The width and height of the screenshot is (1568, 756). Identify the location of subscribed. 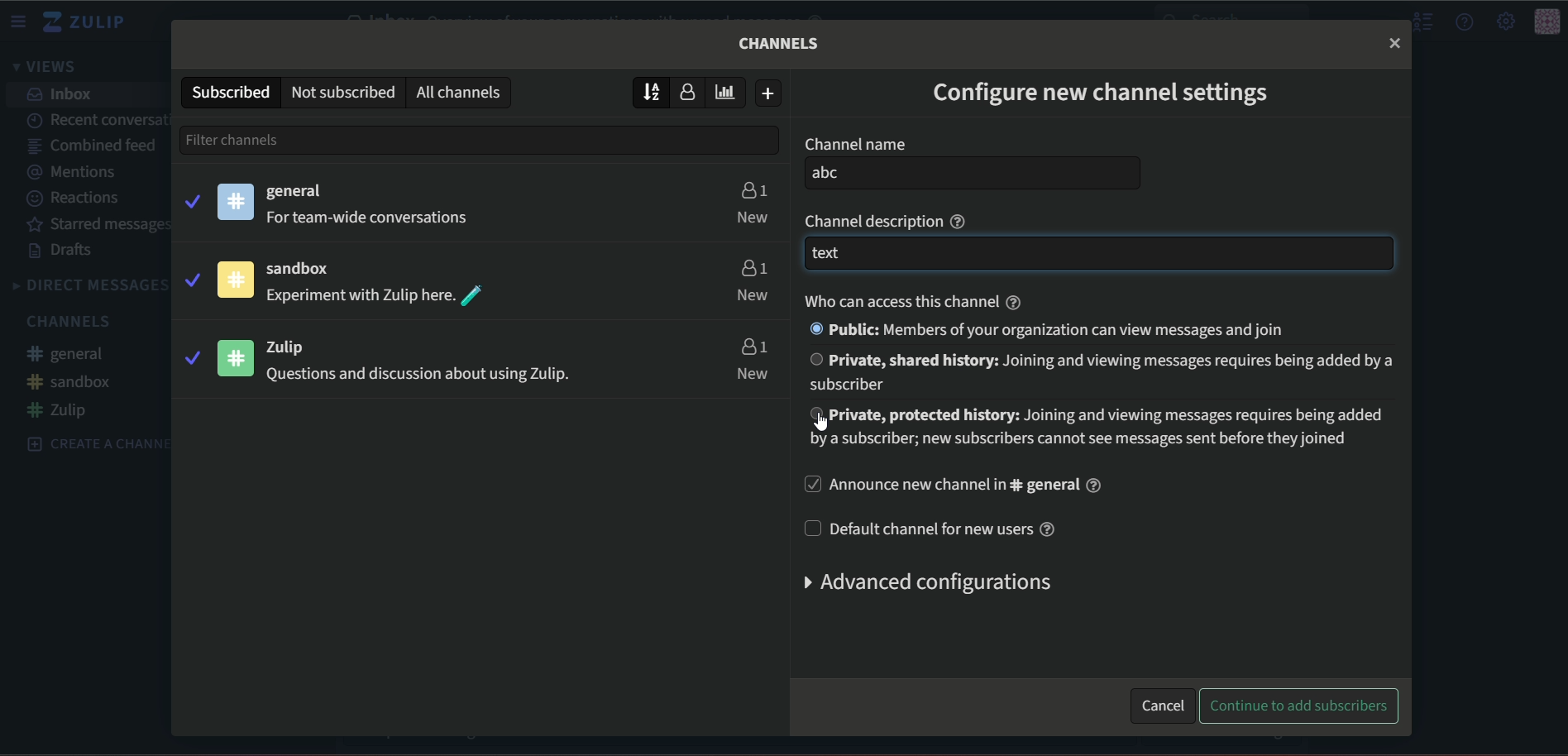
(229, 91).